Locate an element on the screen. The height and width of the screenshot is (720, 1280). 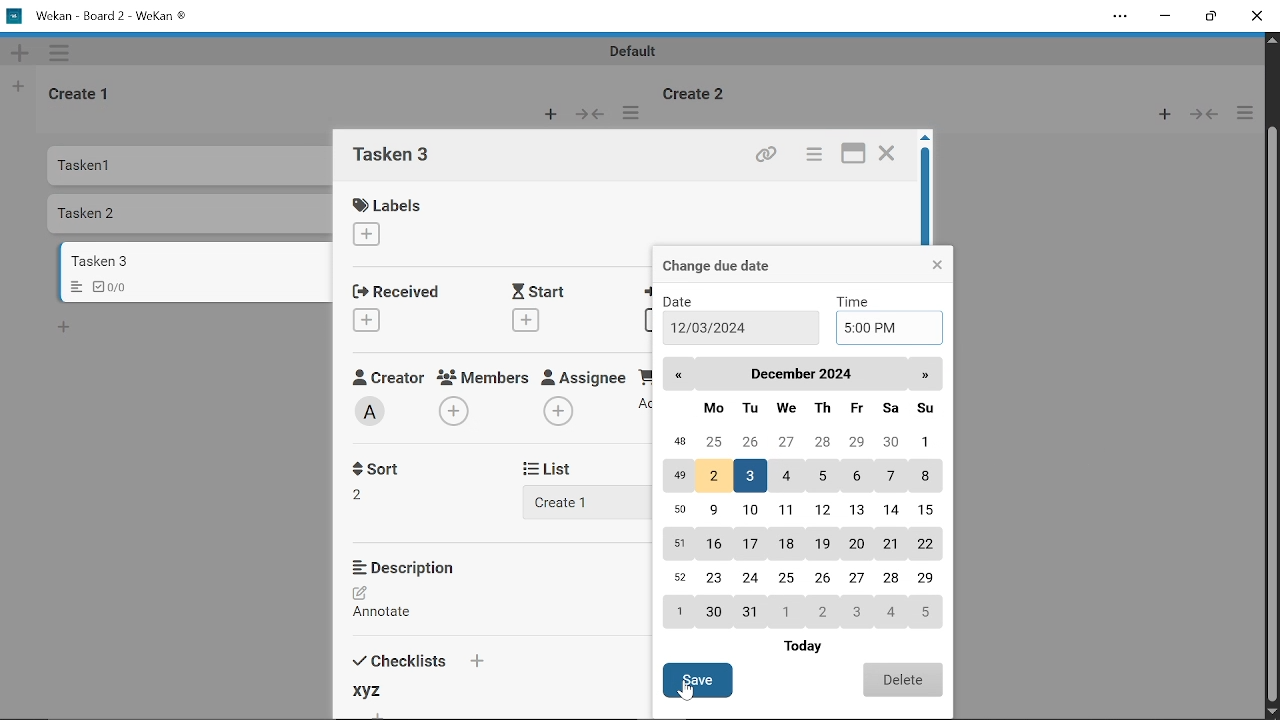
New is located at coordinates (1159, 116).